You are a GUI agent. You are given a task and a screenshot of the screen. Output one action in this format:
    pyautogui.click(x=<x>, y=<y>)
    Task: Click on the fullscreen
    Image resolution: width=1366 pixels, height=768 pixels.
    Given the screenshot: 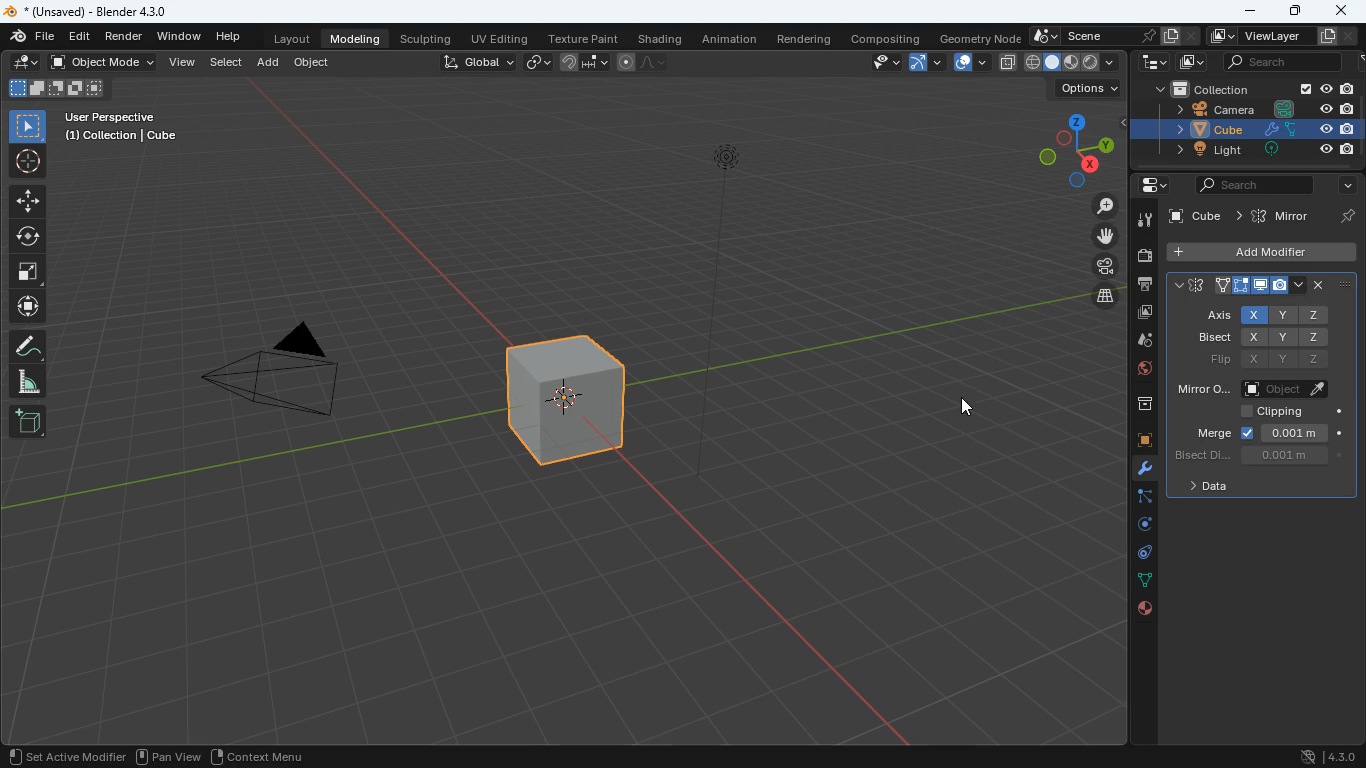 What is the action you would take?
    pyautogui.click(x=63, y=88)
    